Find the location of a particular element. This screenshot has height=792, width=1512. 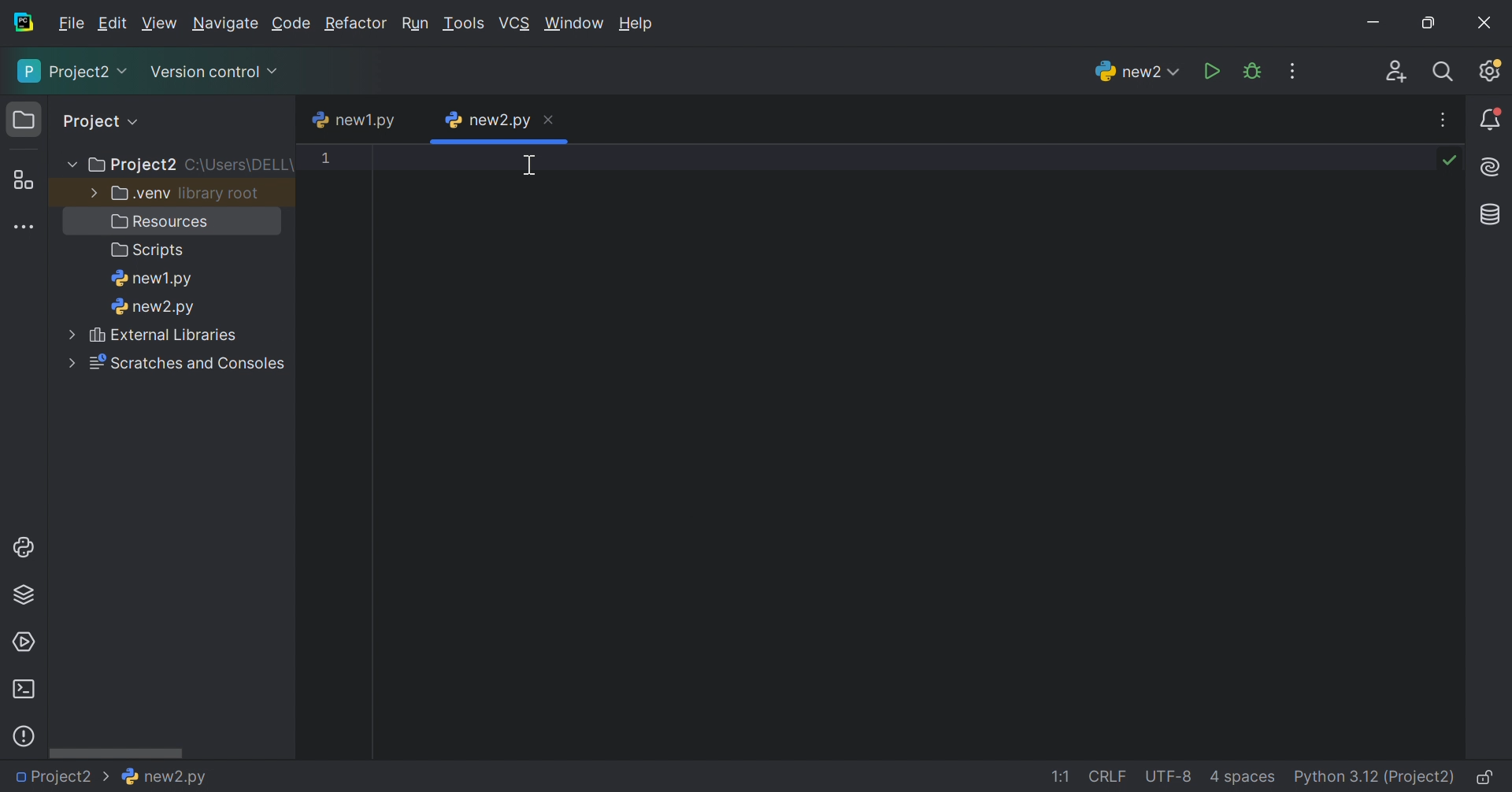

Resources is located at coordinates (160, 222).